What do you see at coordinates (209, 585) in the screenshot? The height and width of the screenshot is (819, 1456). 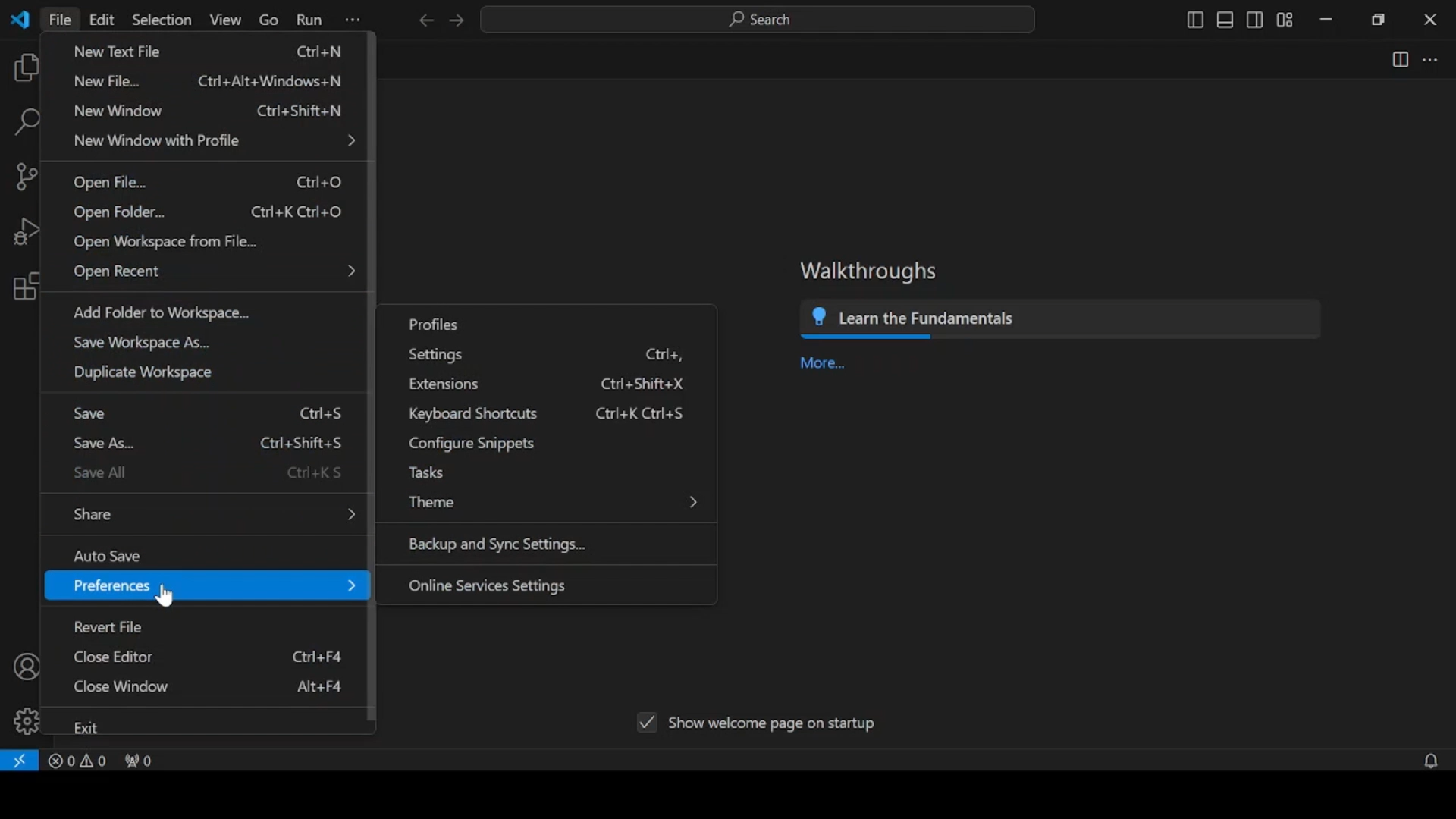 I see `preferences menu` at bounding box center [209, 585].